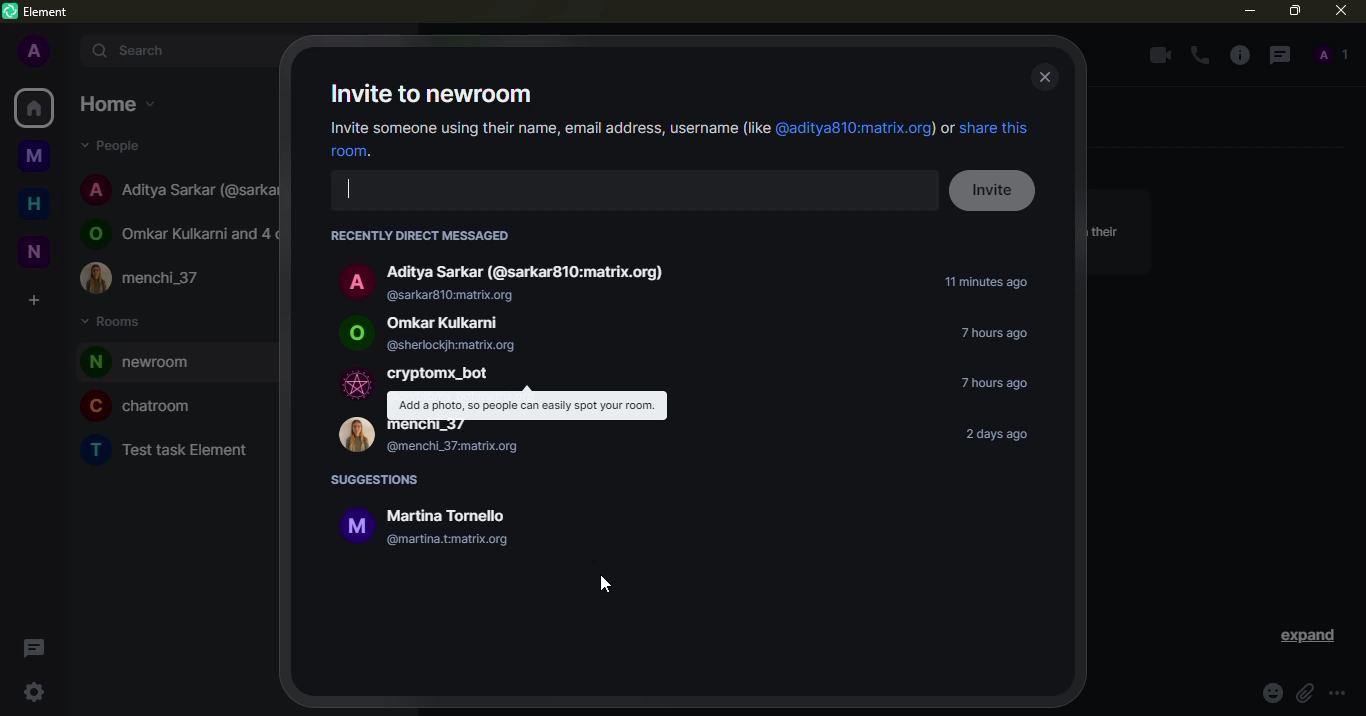 This screenshot has width=1366, height=716. Describe the element at coordinates (466, 528) in the screenshot. I see `i Martina Tornello
@martina.tmatrix.org` at that location.